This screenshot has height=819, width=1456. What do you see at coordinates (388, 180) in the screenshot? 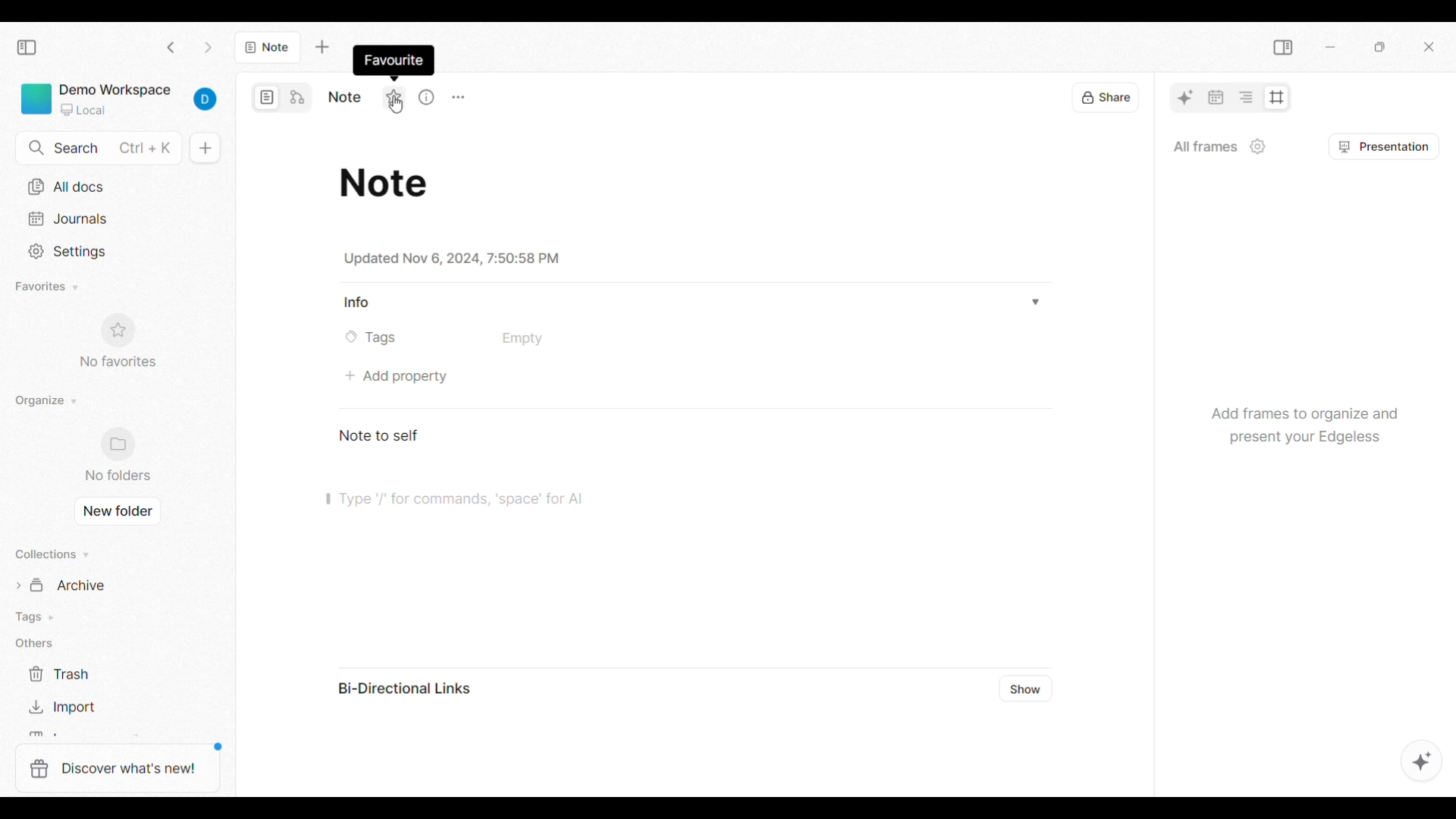
I see `Note` at bounding box center [388, 180].